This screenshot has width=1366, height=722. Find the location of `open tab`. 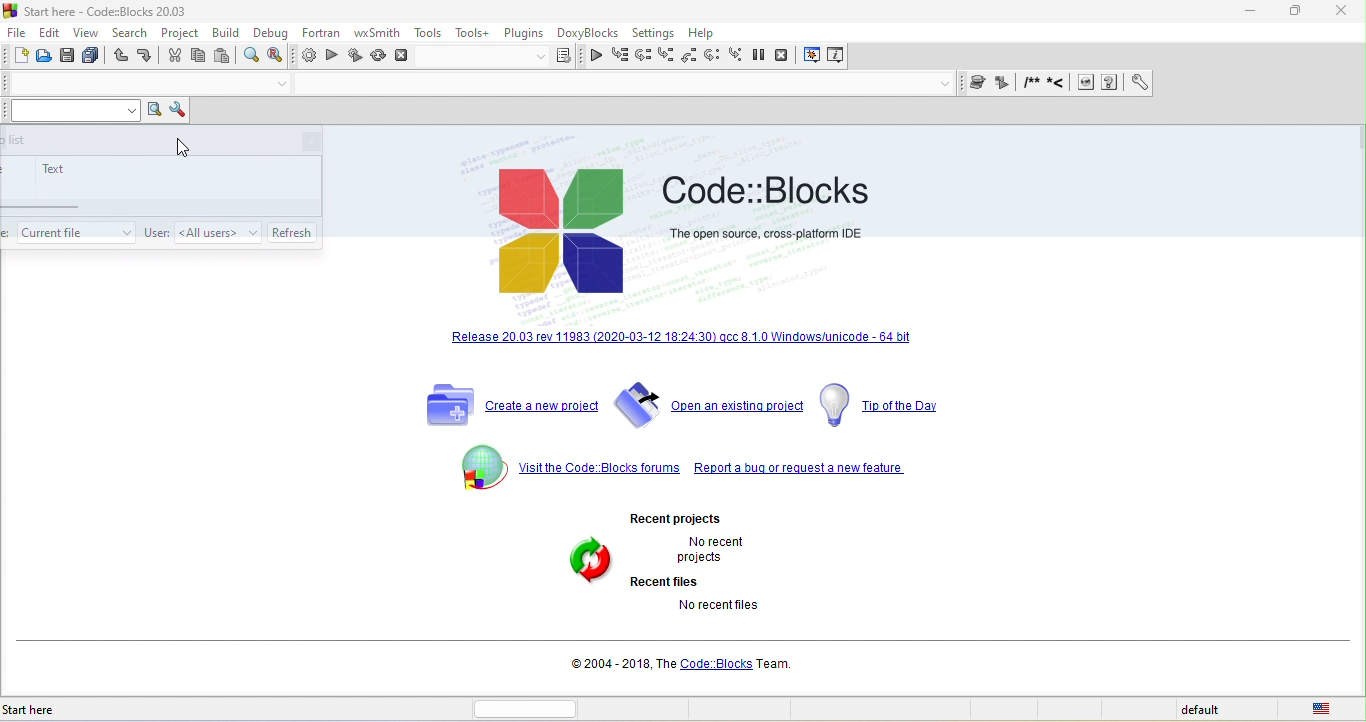

open tab is located at coordinates (616, 86).